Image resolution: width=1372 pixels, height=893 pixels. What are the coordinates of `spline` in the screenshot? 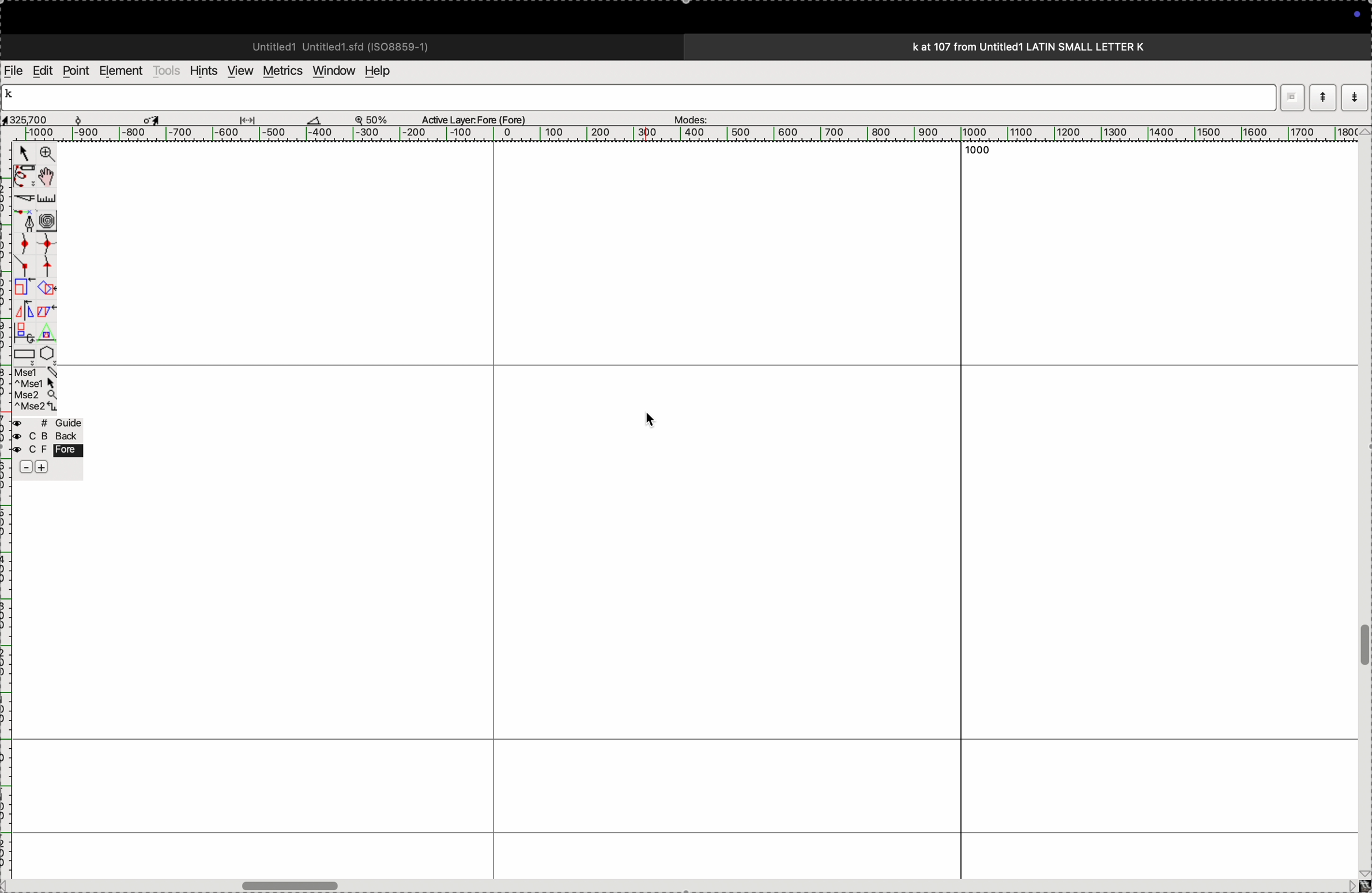 It's located at (35, 253).